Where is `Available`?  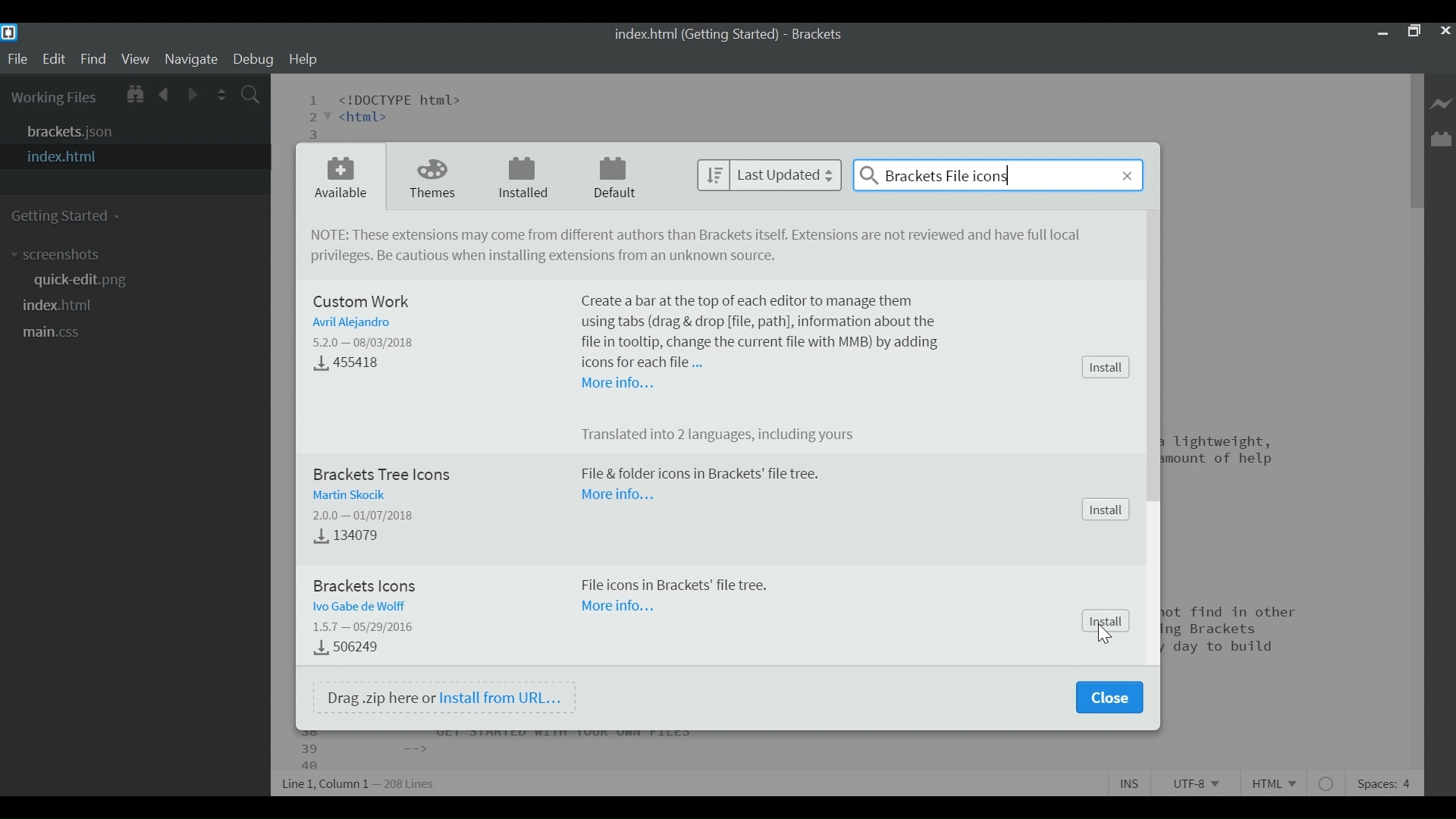 Available is located at coordinates (339, 178).